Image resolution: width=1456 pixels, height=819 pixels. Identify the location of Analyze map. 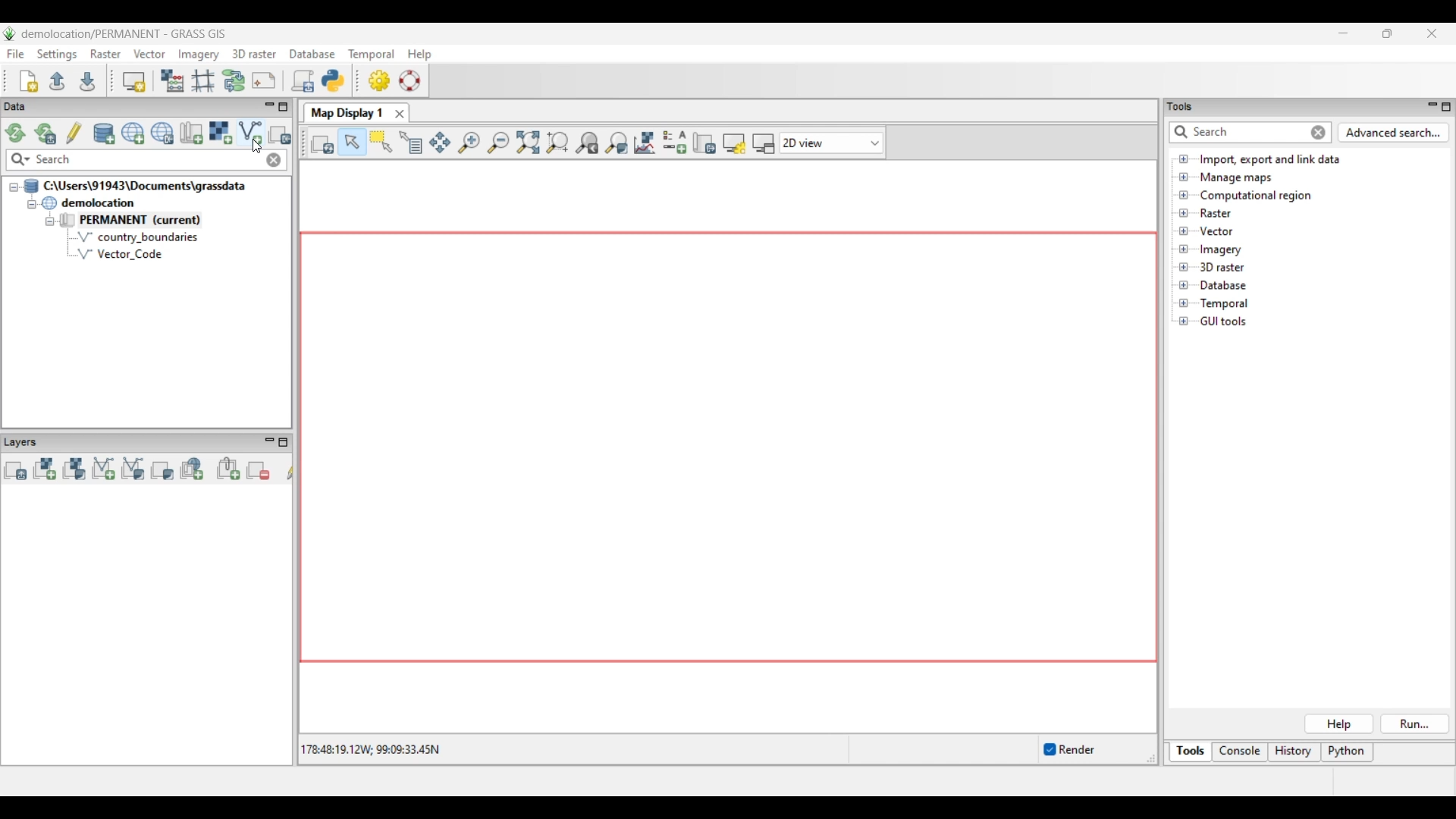
(645, 143).